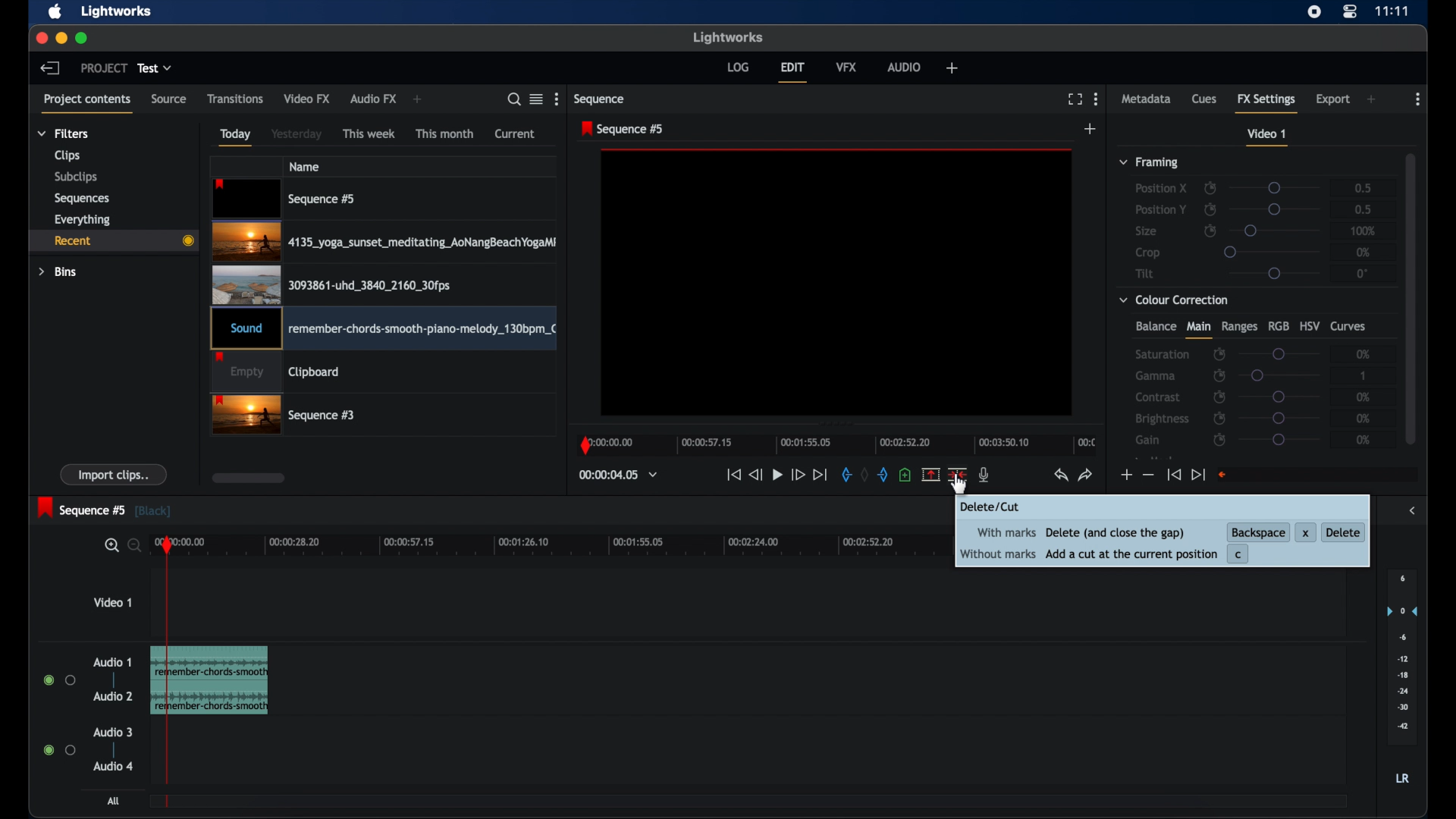 The width and height of the screenshot is (1456, 819). I want to click on gamma, so click(1156, 376).